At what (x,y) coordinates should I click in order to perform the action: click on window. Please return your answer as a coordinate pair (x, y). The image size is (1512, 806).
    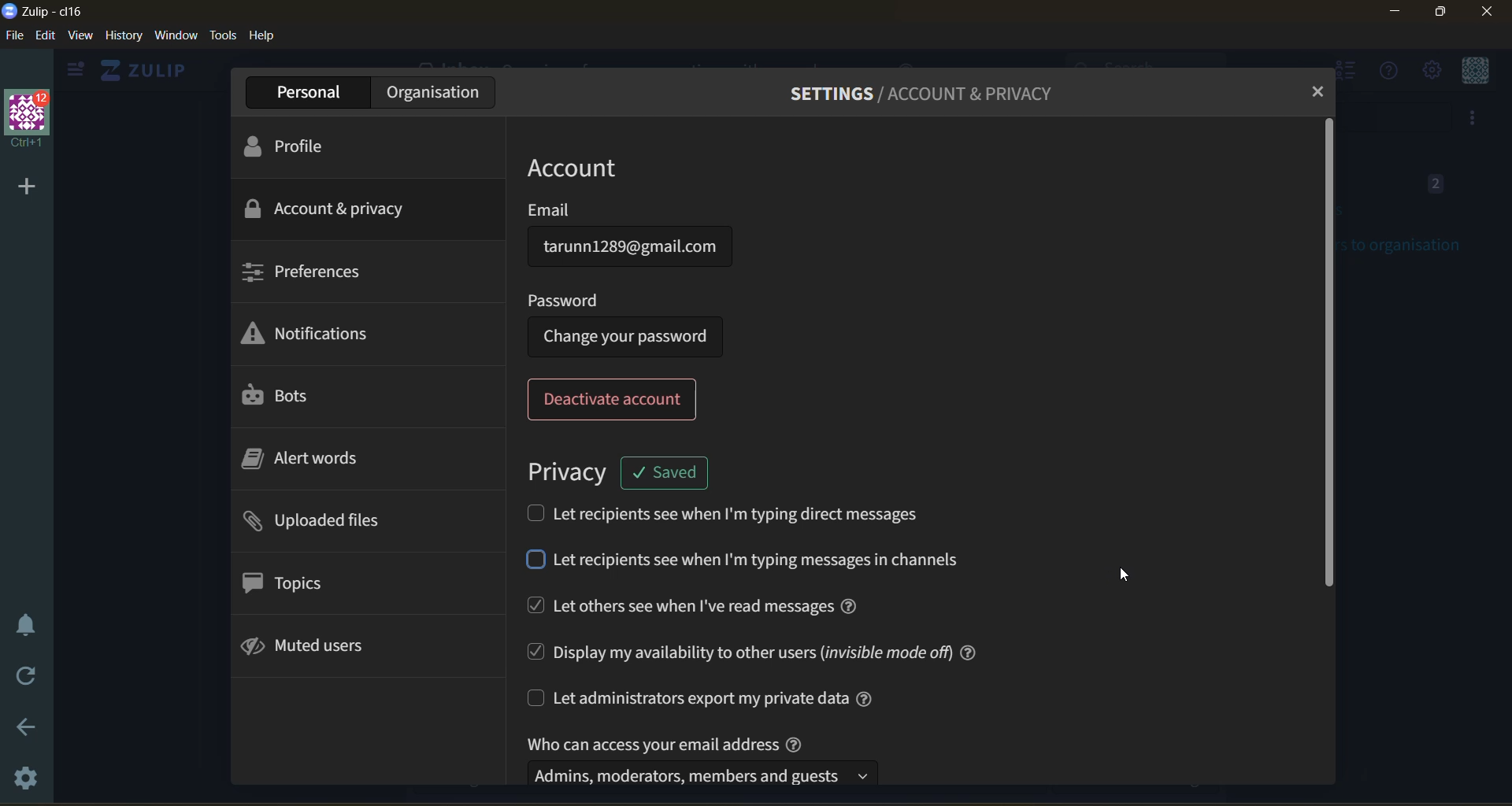
    Looking at the image, I should click on (175, 38).